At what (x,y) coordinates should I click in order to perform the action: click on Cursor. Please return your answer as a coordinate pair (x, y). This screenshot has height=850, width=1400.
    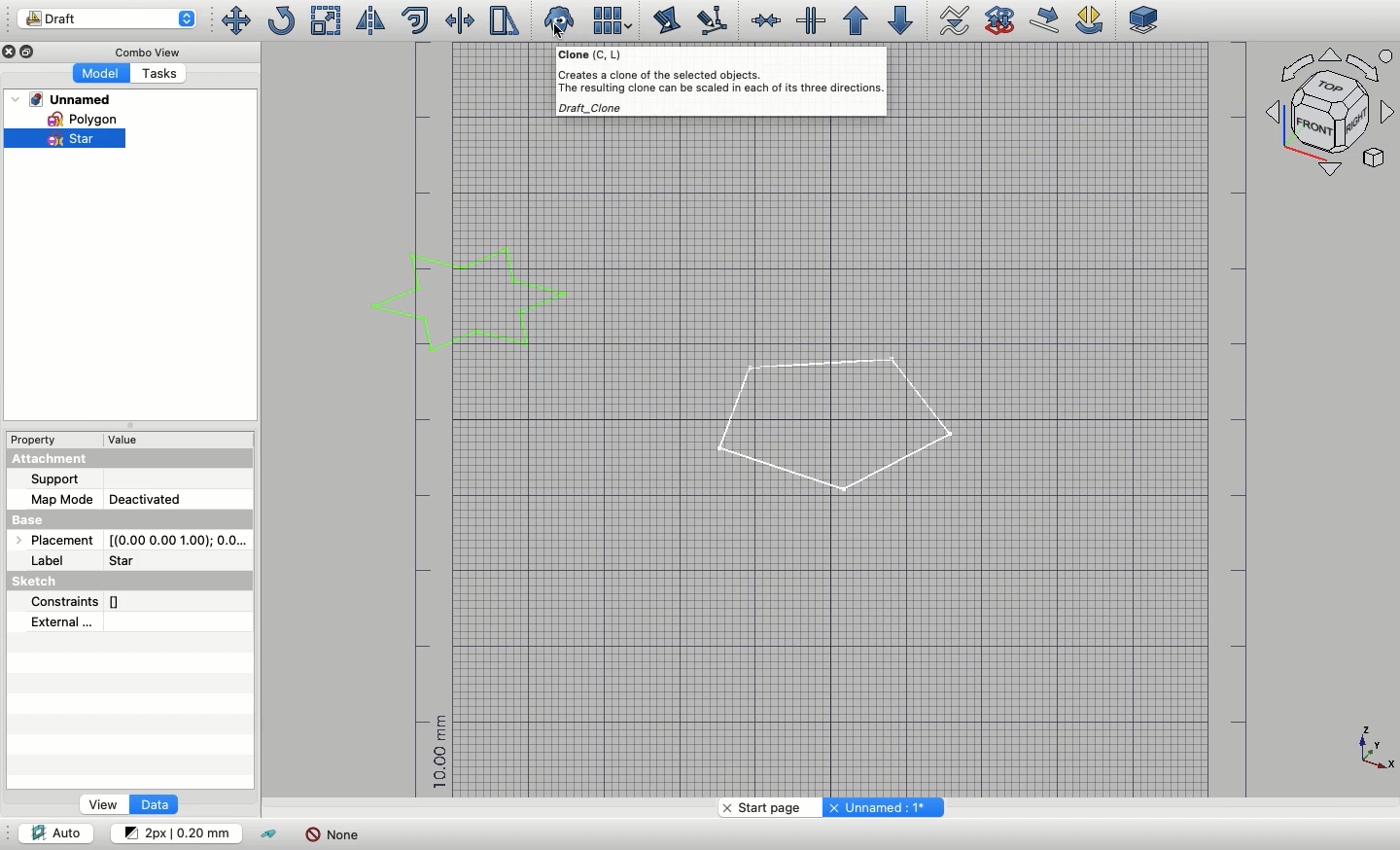
    Looking at the image, I should click on (554, 28).